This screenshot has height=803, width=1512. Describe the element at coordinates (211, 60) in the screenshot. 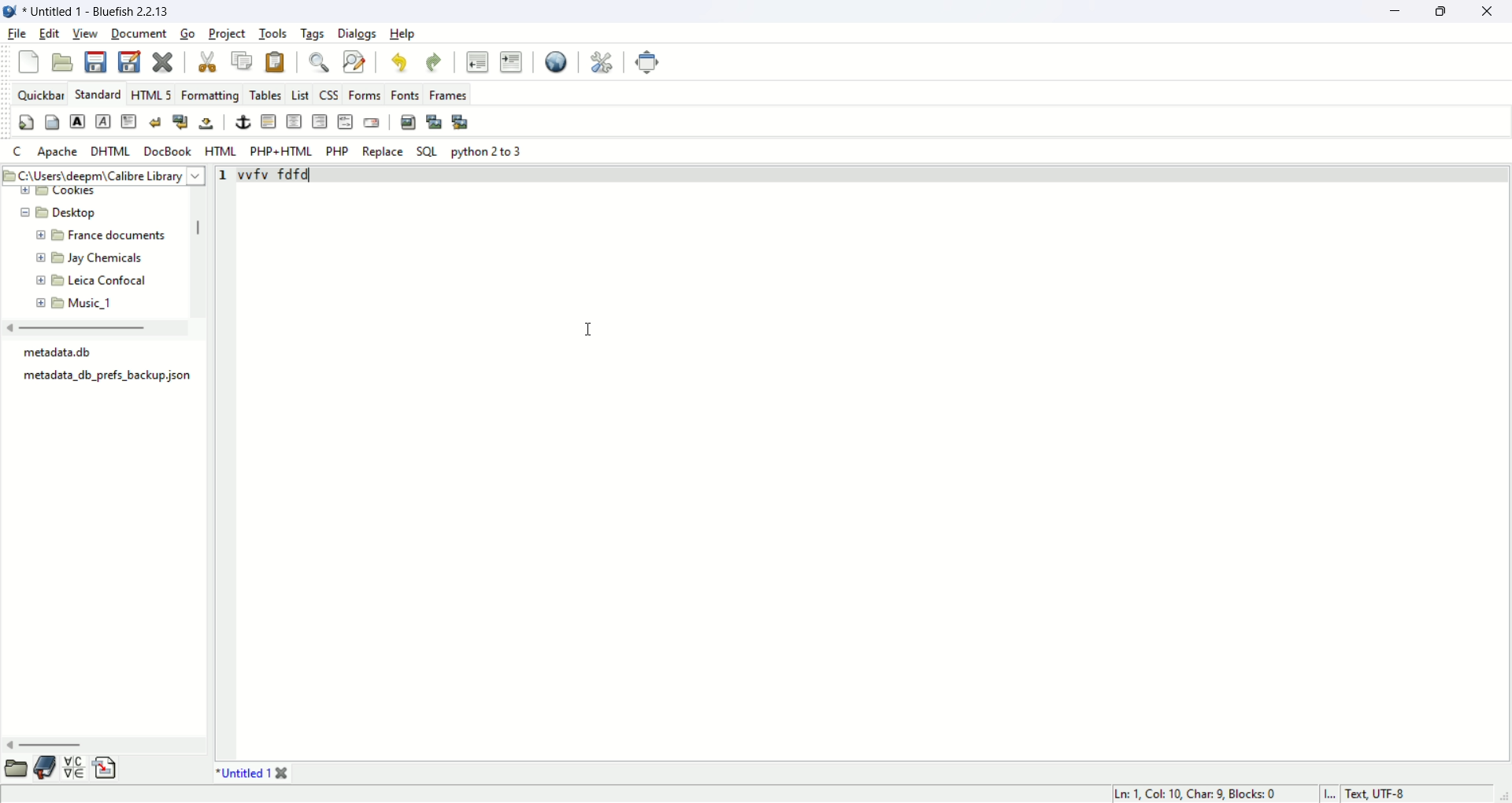

I see `cut` at that location.